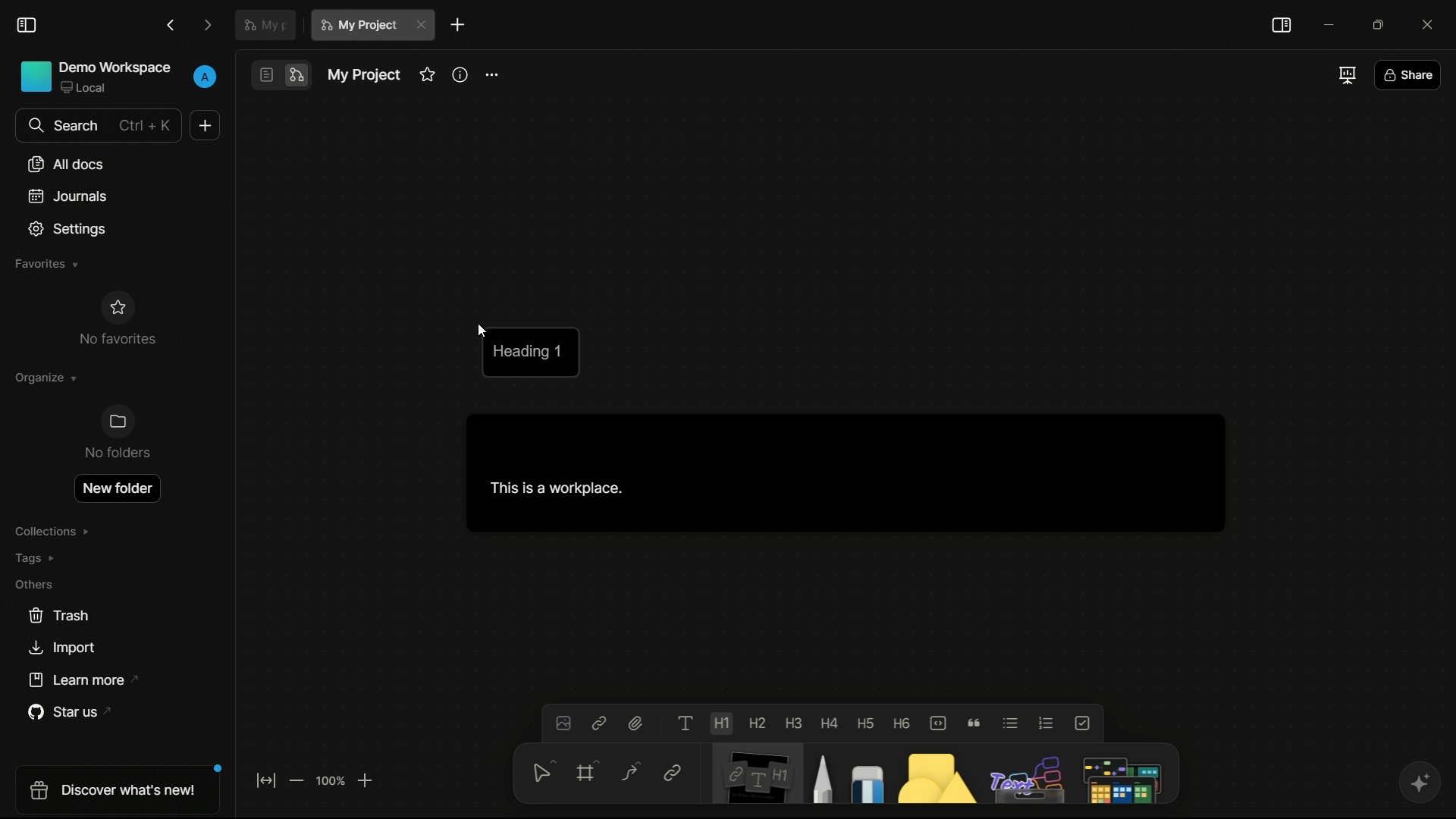 This screenshot has height=819, width=1456. Describe the element at coordinates (265, 24) in the screenshot. I see `document tab` at that location.